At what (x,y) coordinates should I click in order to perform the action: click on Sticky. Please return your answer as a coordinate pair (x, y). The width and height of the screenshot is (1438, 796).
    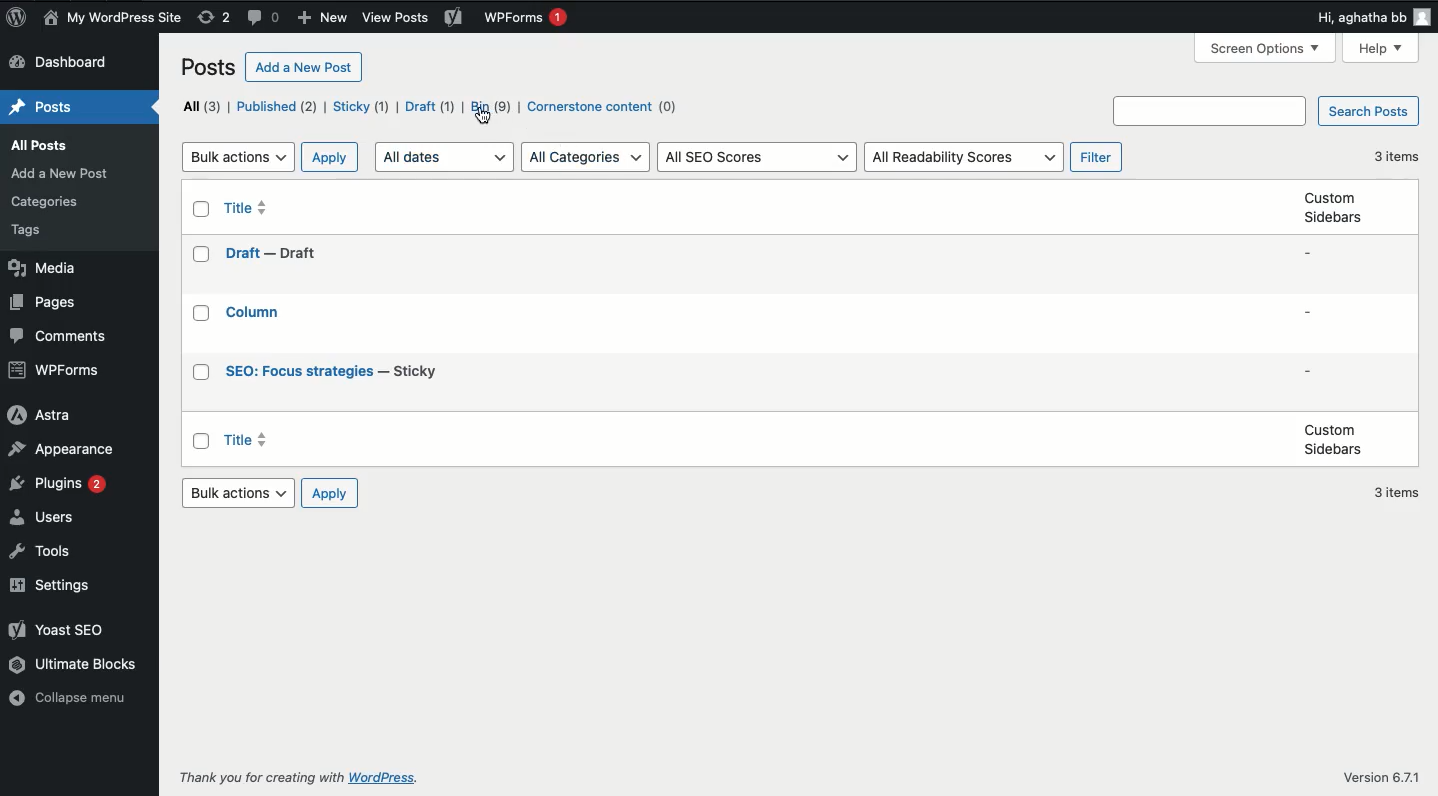
    Looking at the image, I should click on (359, 107).